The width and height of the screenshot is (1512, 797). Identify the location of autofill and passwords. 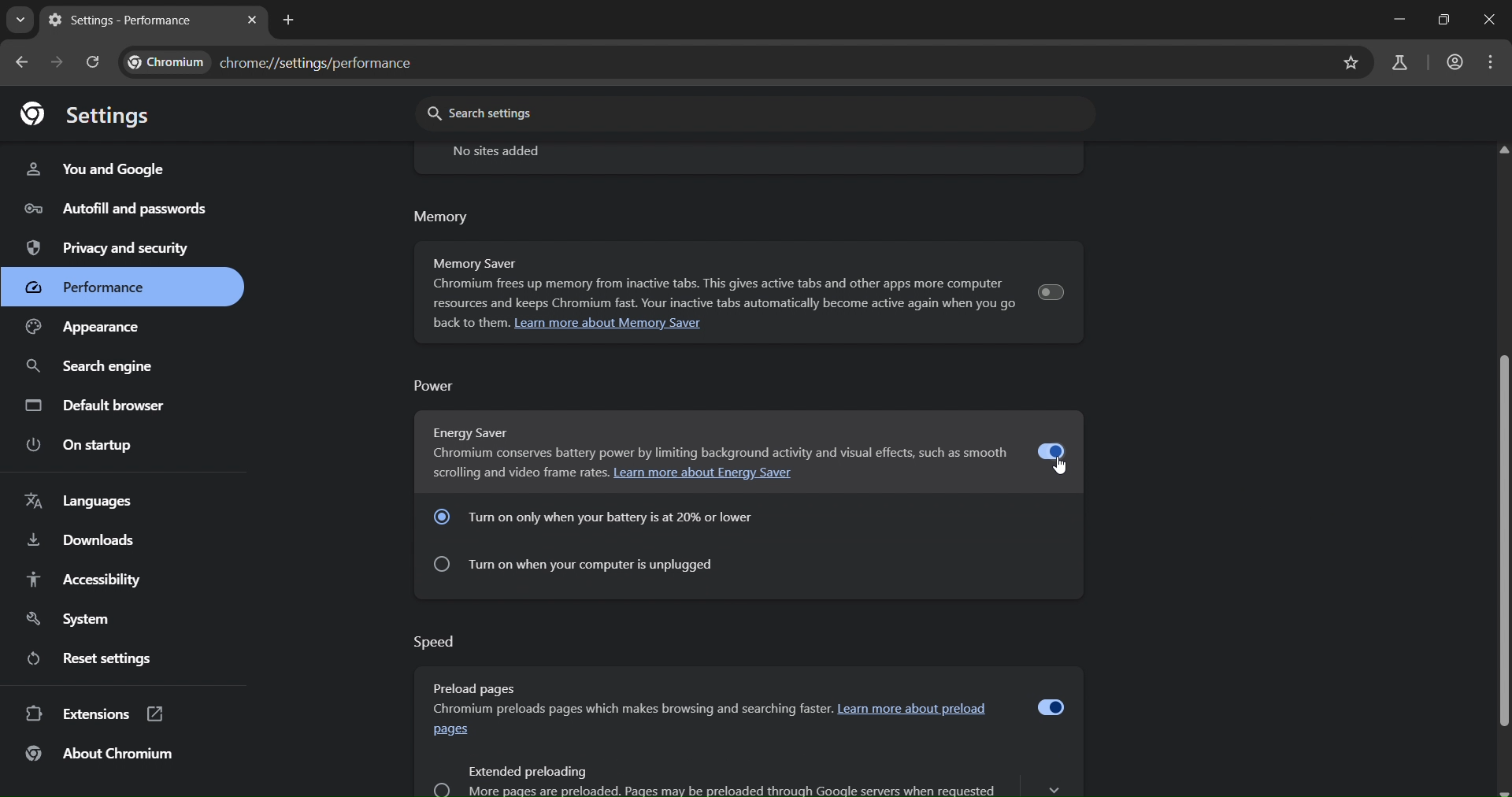
(119, 210).